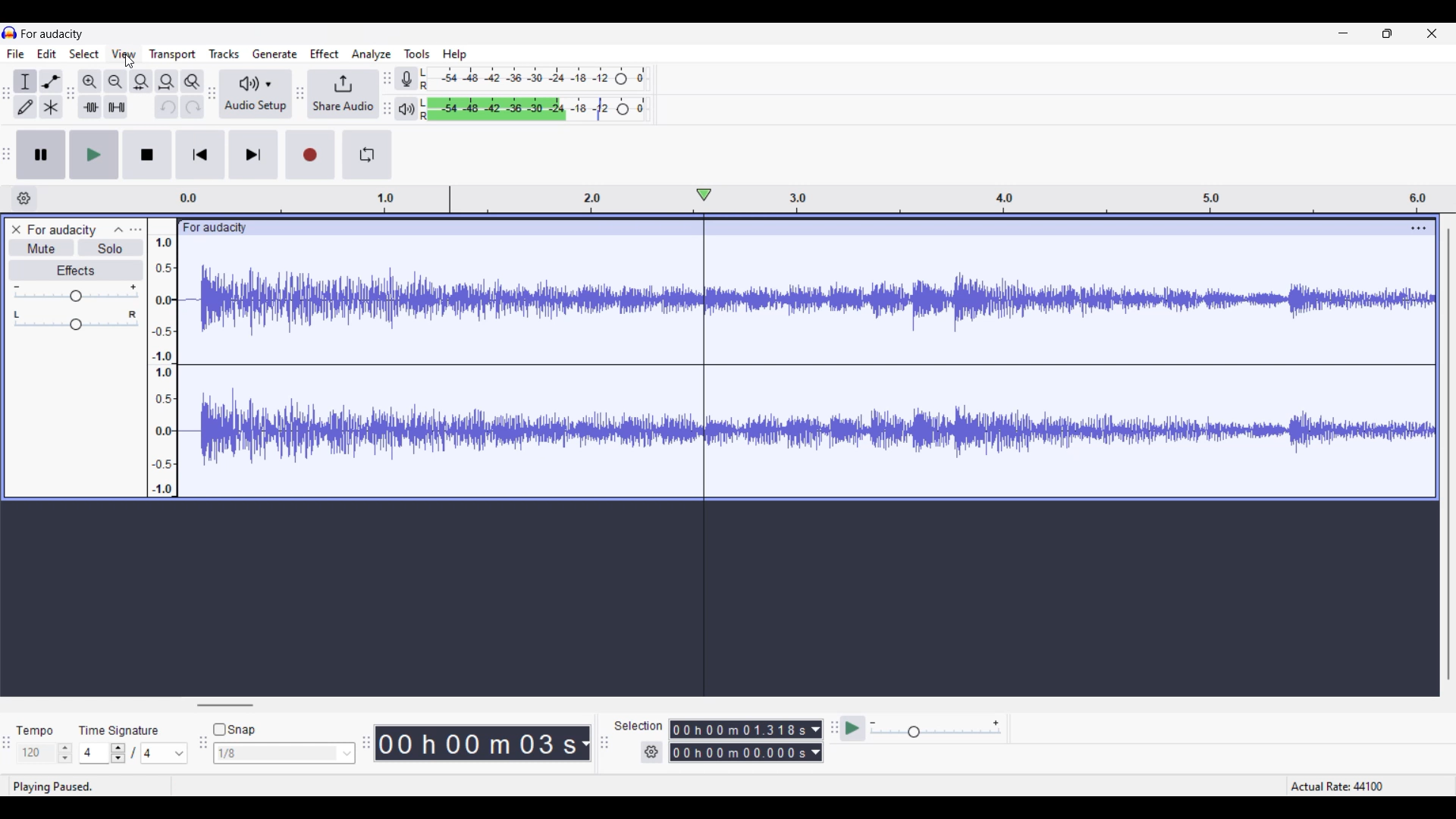  What do you see at coordinates (61, 230) in the screenshot?
I see `Project name` at bounding box center [61, 230].